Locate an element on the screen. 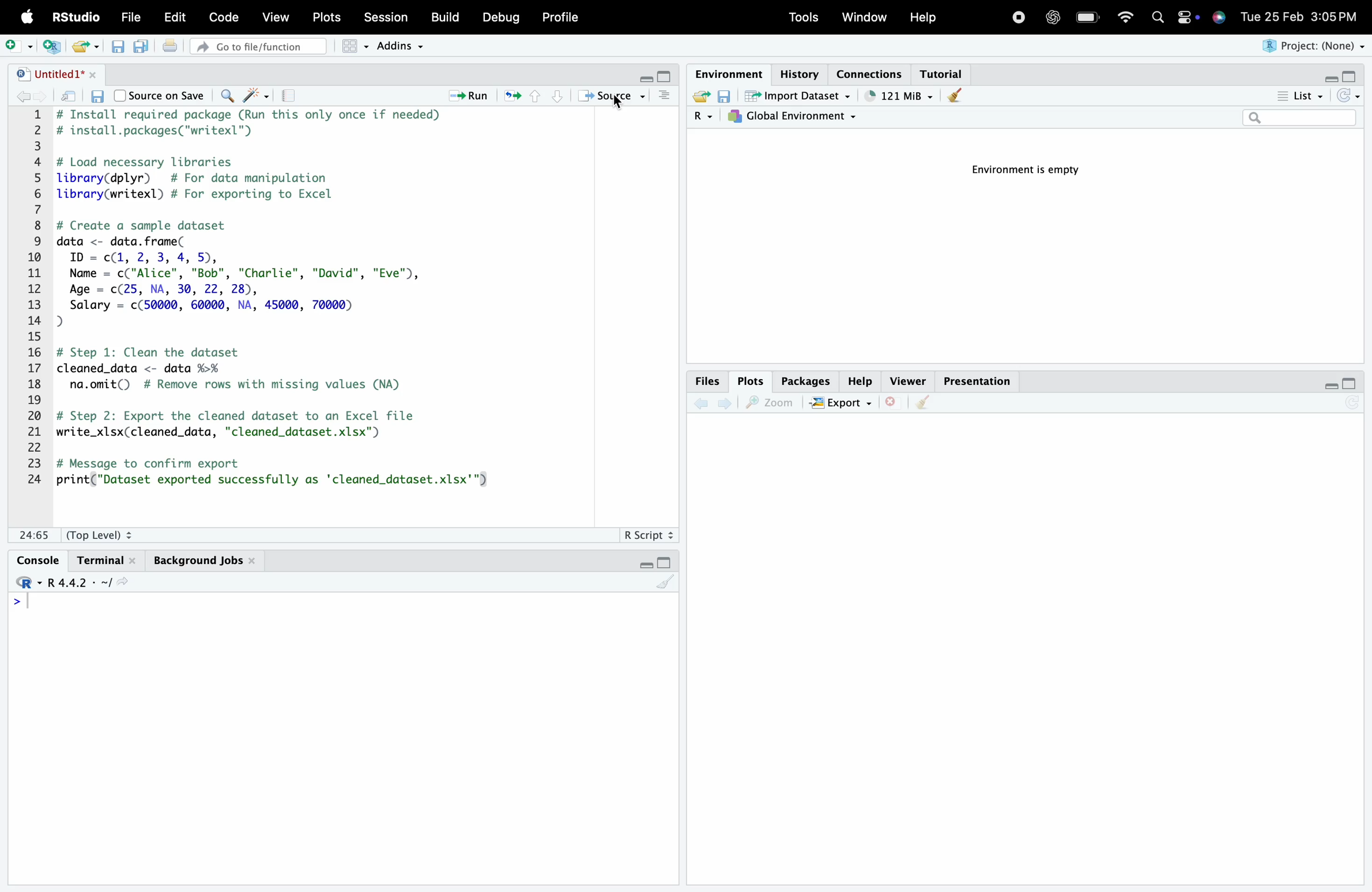  Recording is located at coordinates (1018, 18).